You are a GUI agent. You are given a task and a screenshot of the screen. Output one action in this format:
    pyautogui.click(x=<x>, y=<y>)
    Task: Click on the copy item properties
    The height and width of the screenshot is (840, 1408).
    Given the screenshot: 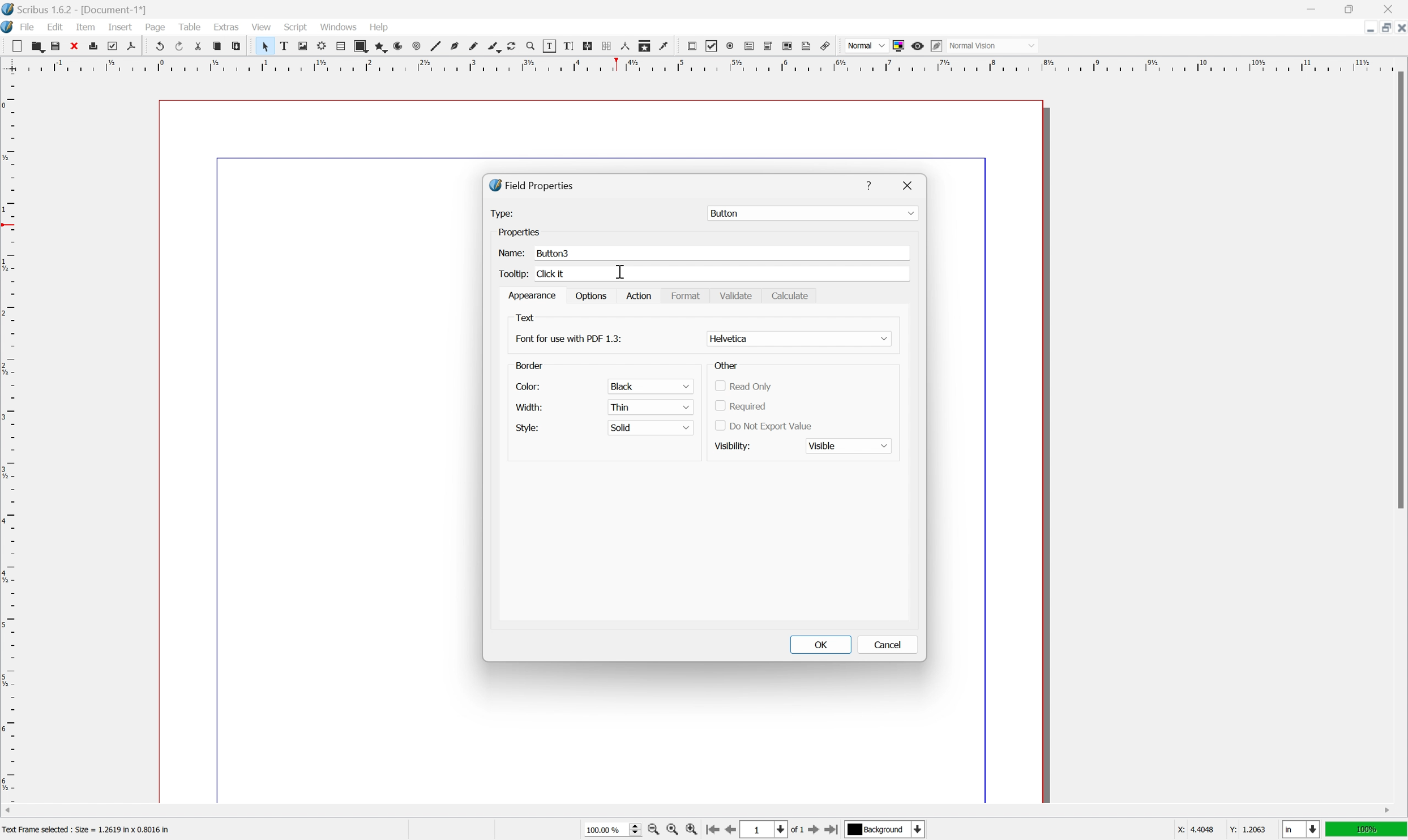 What is the action you would take?
    pyautogui.click(x=645, y=46)
    